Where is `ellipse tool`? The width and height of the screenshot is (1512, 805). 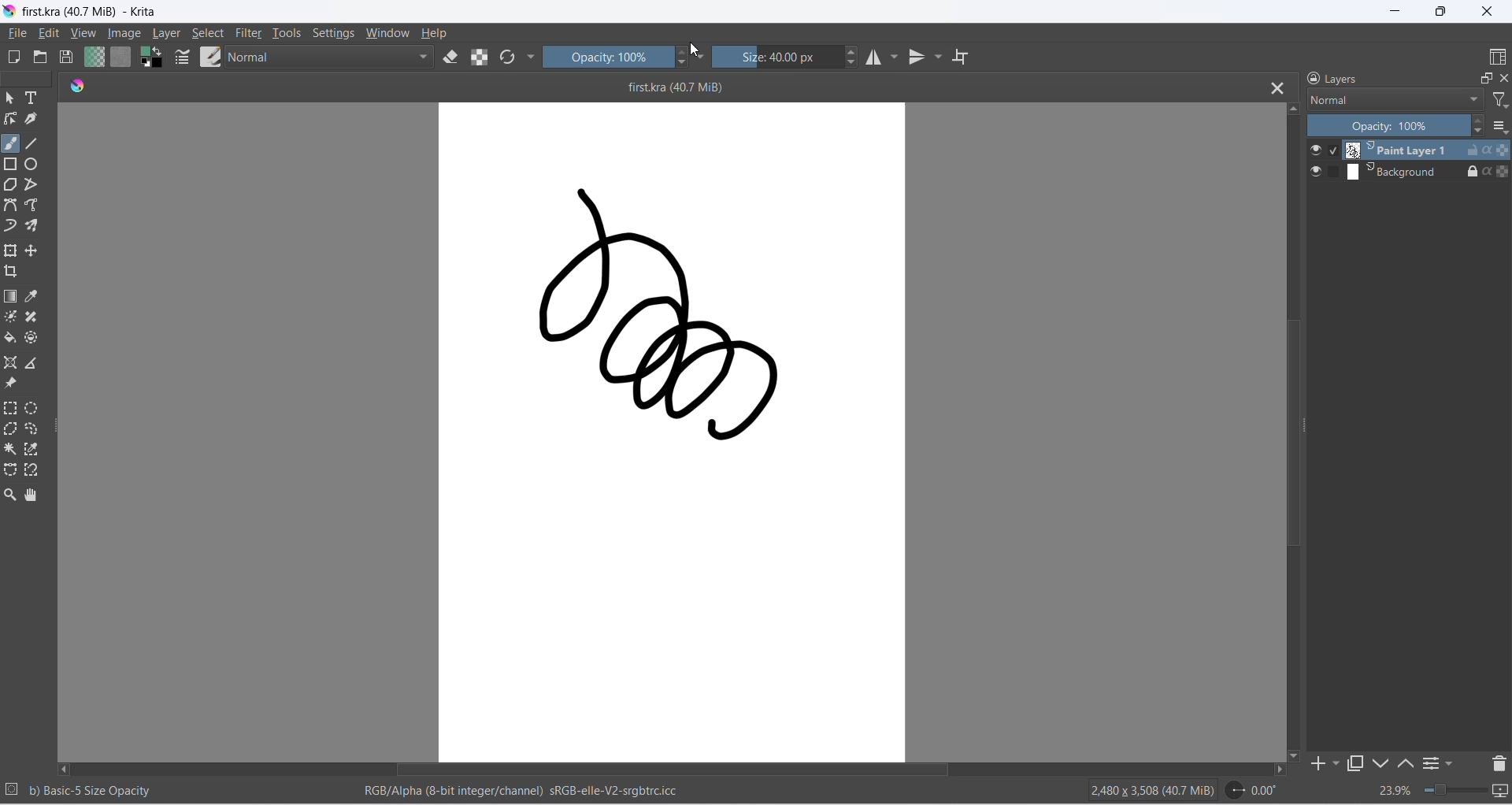
ellipse tool is located at coordinates (31, 164).